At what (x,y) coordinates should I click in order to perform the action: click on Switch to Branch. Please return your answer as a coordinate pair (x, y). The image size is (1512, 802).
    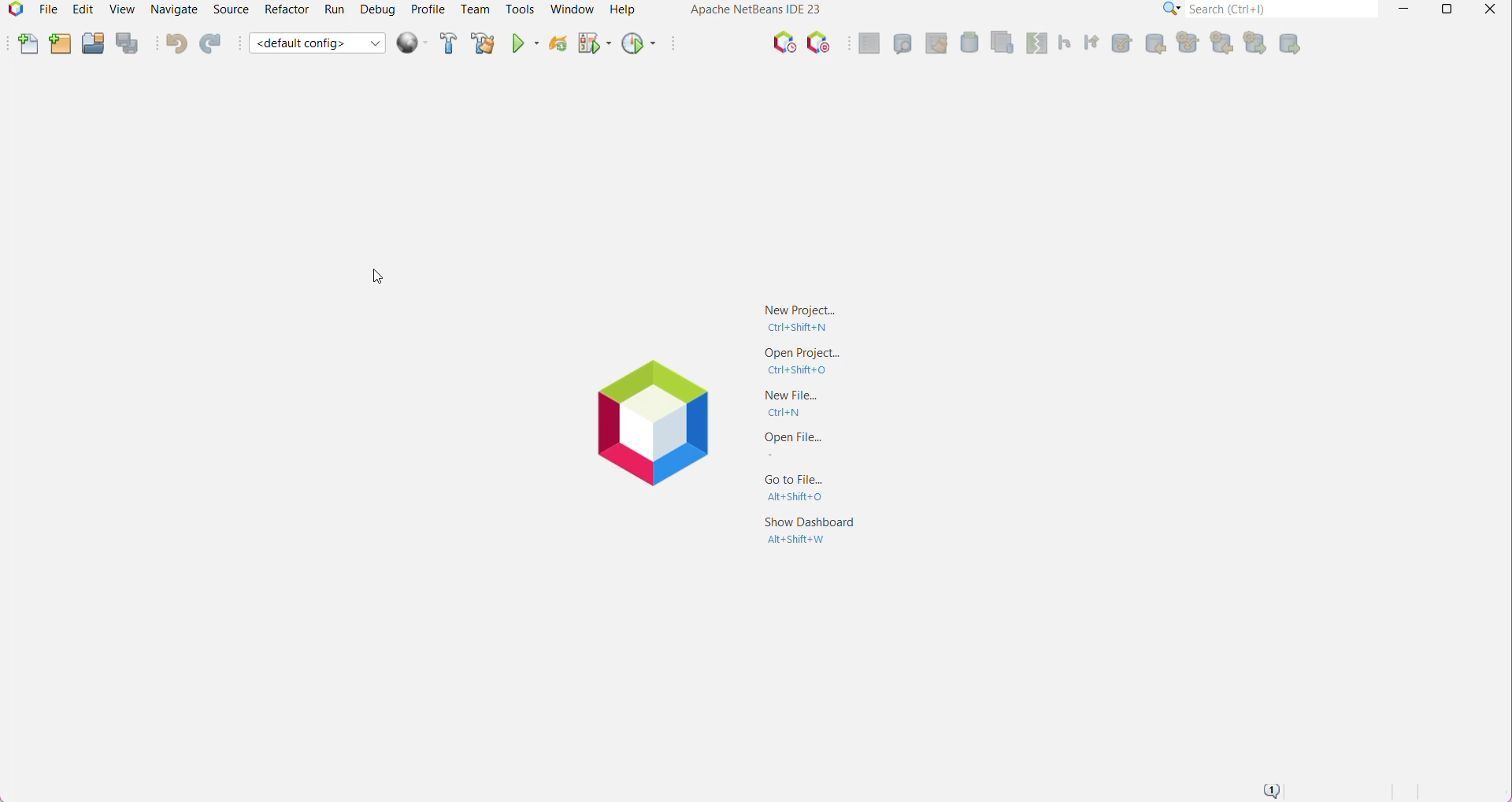
    Looking at the image, I should click on (1091, 42).